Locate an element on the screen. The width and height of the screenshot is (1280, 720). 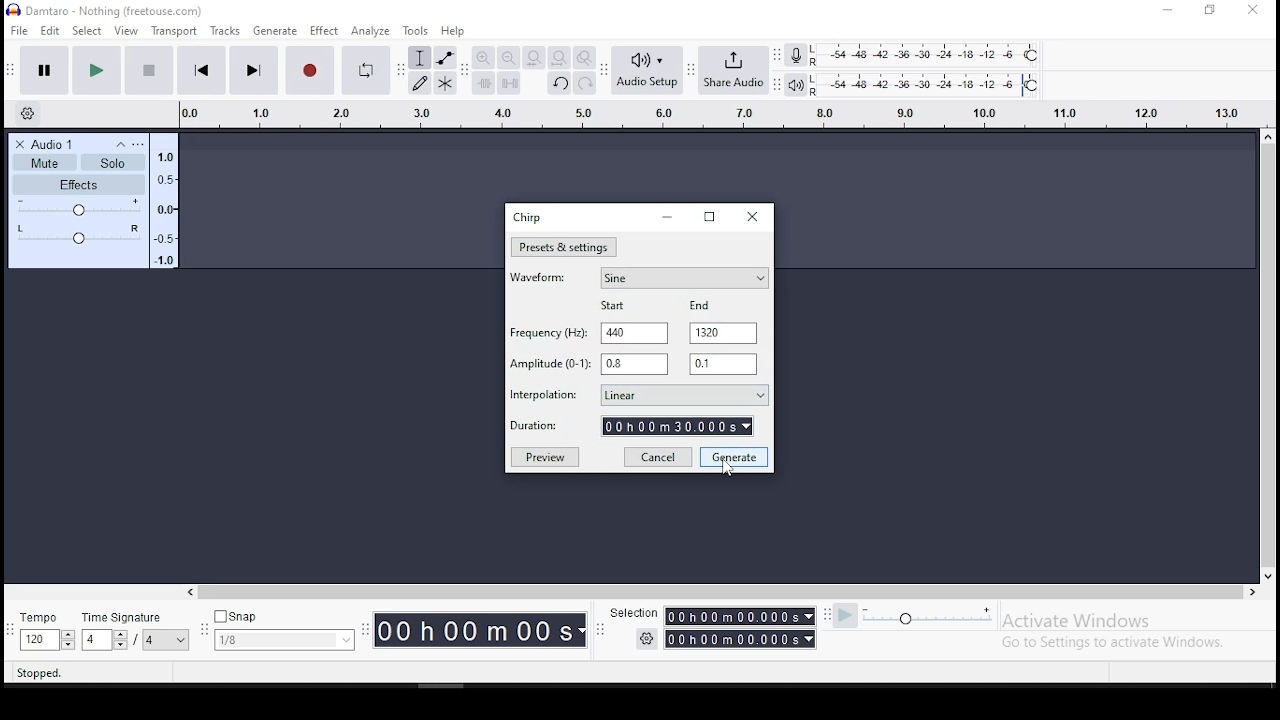
record is located at coordinates (310, 70).